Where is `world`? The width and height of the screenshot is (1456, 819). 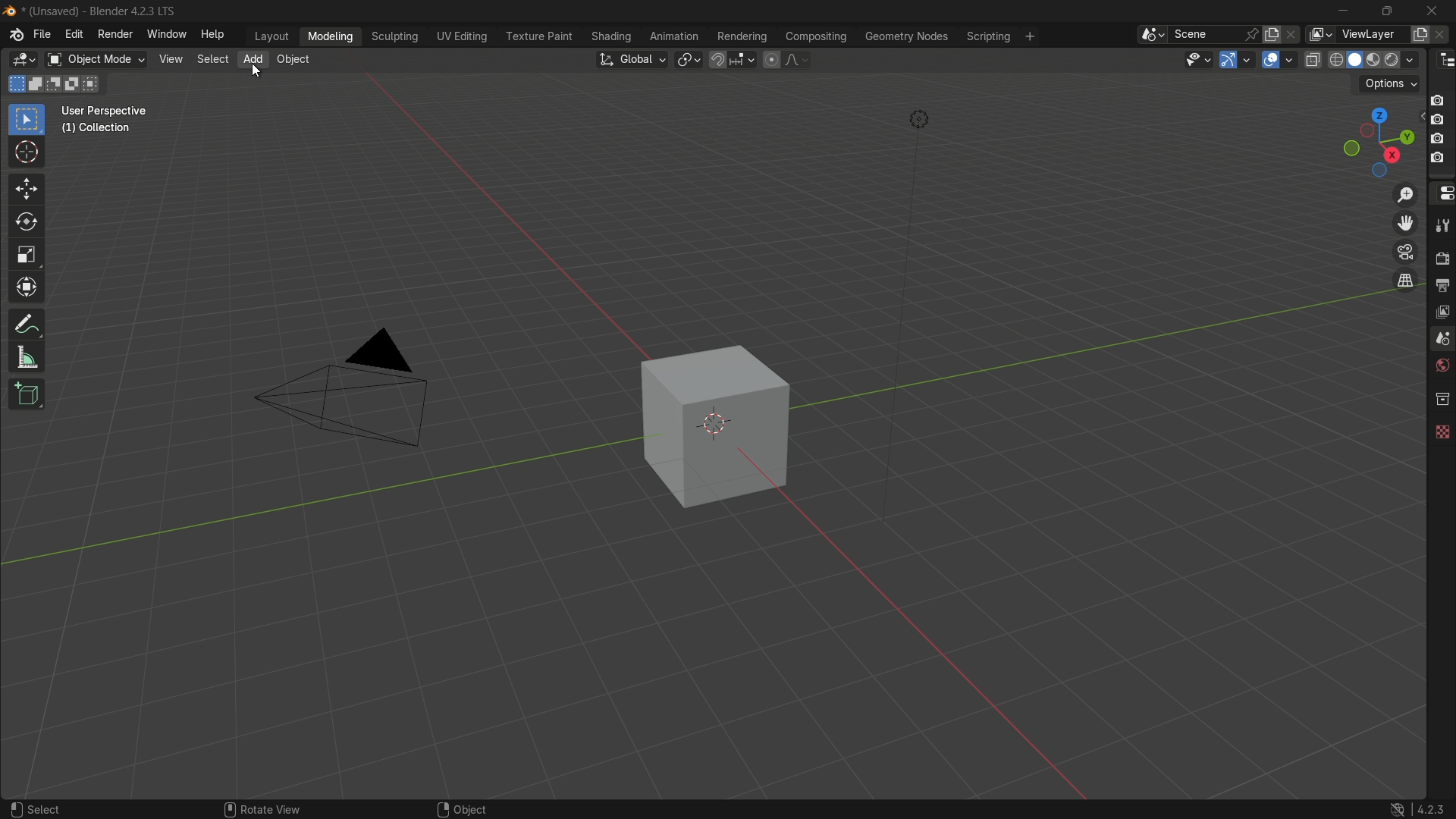 world is located at coordinates (1442, 366).